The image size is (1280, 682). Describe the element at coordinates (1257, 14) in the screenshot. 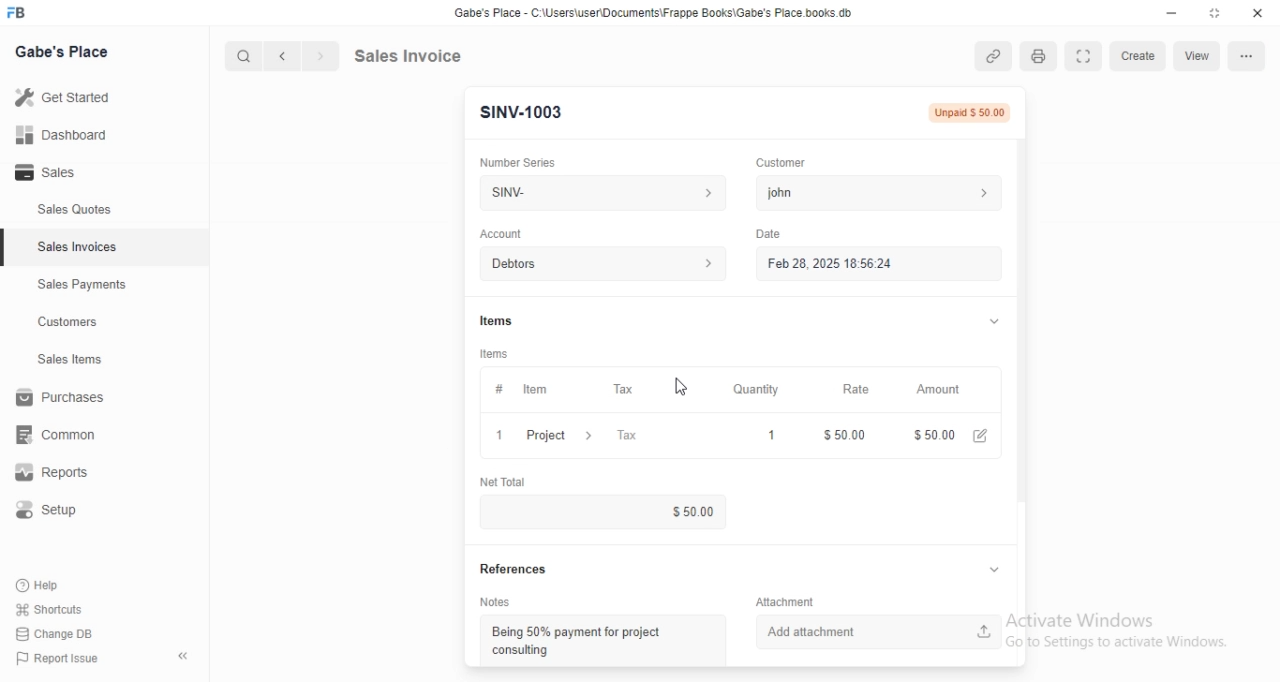

I see `close` at that location.